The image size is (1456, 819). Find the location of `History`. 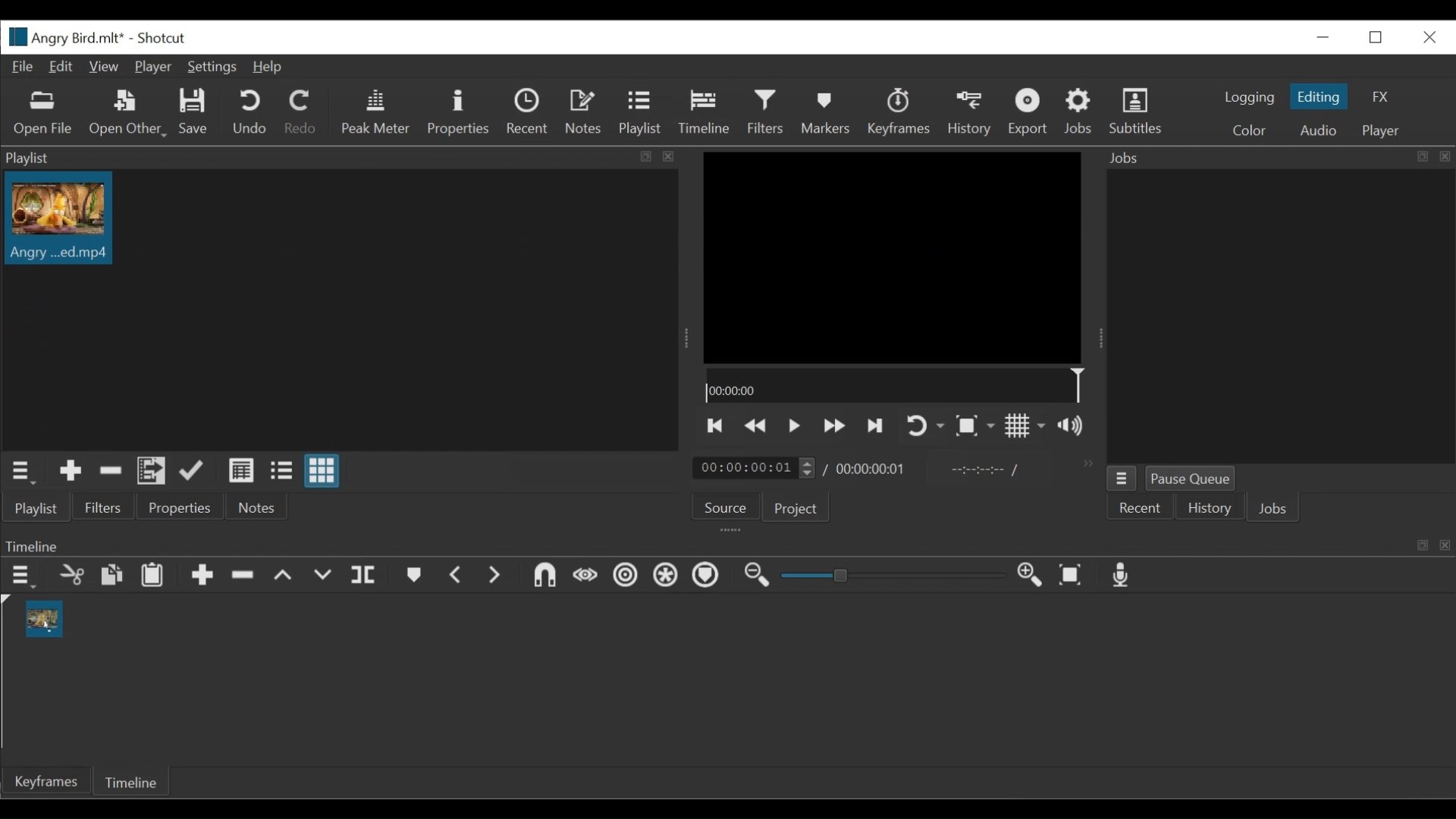

History is located at coordinates (1210, 508).